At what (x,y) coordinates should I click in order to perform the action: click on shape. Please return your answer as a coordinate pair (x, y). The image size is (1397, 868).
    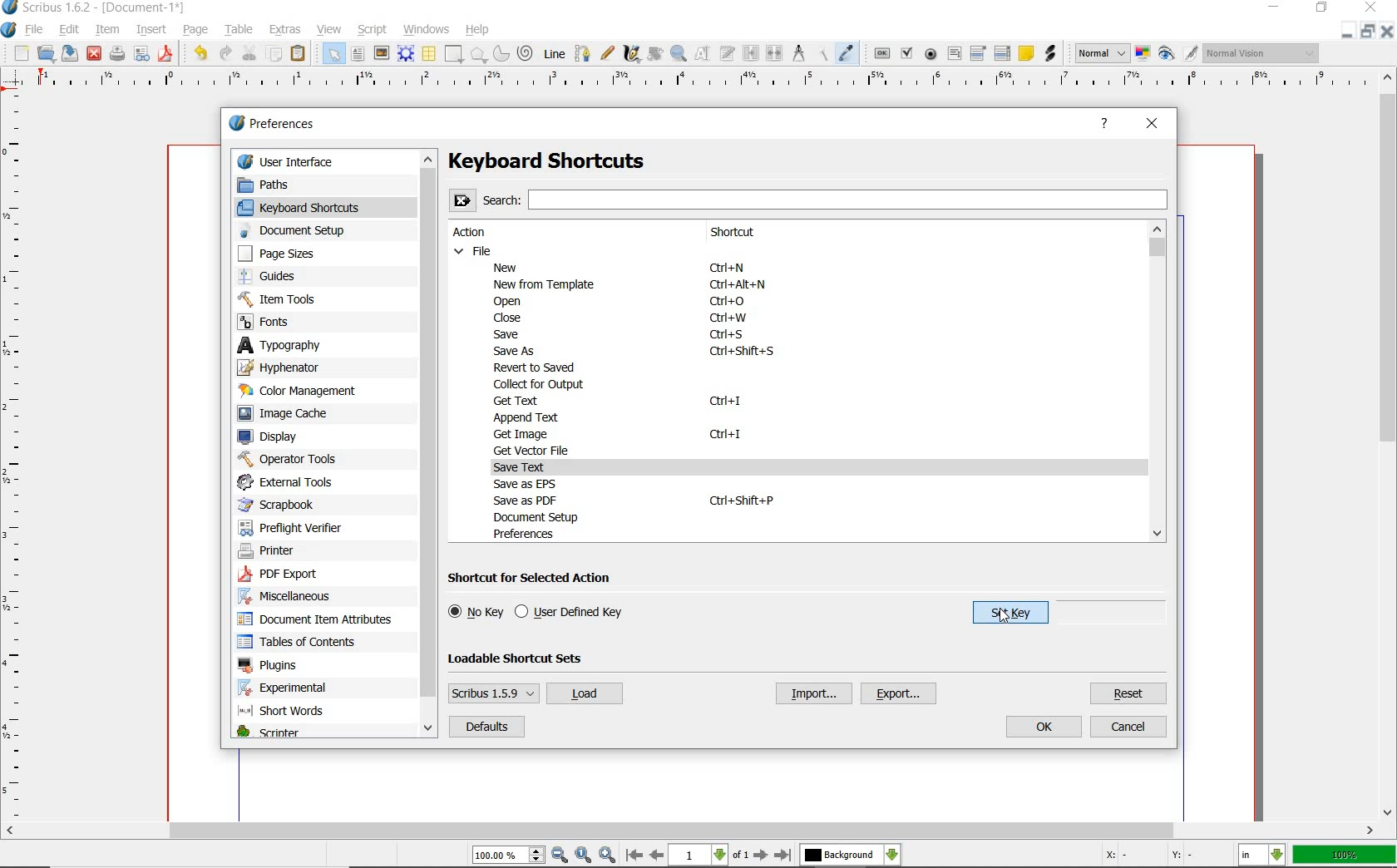
    Looking at the image, I should click on (455, 54).